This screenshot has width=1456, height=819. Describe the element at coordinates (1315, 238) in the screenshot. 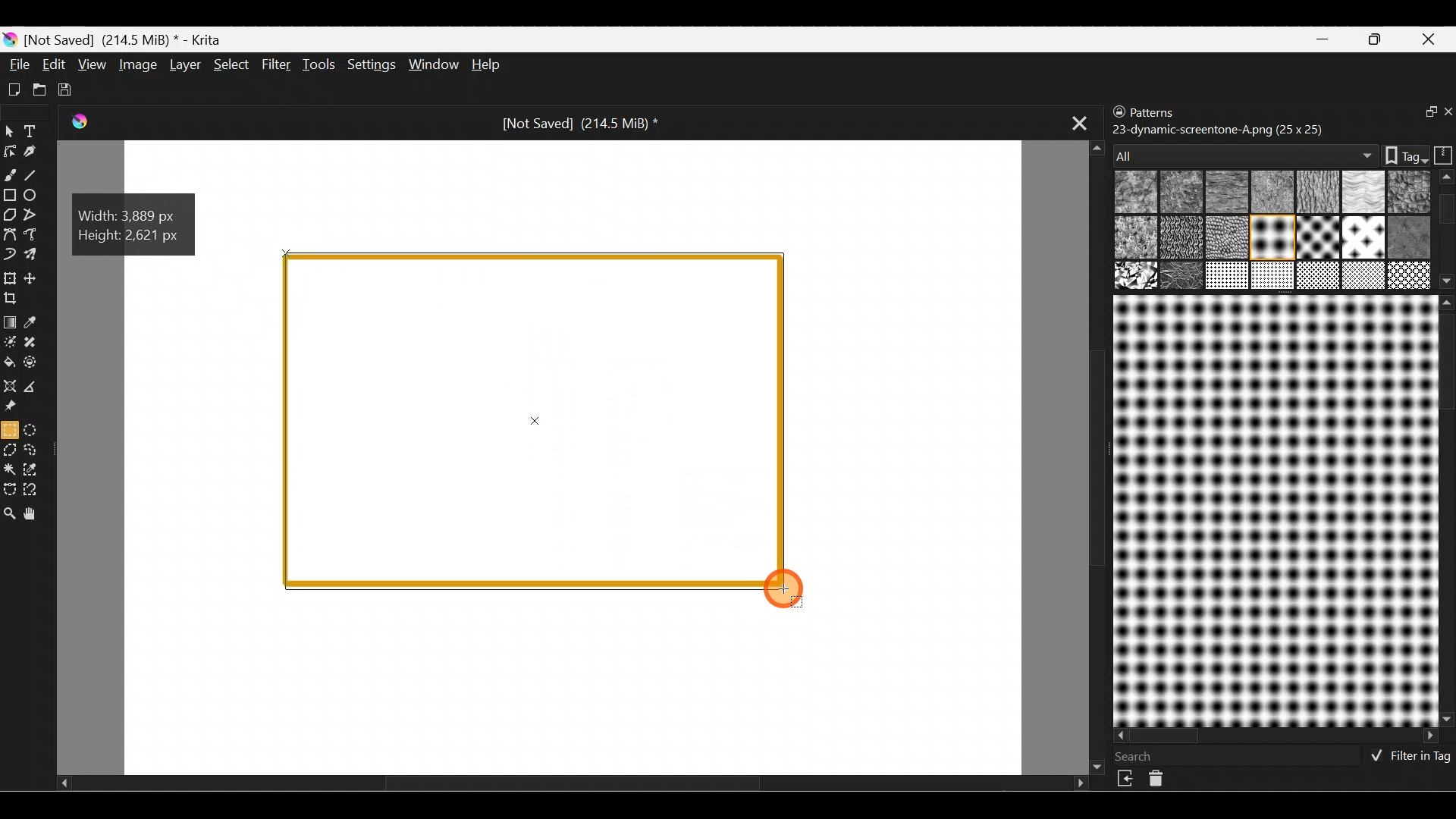

I see `11 drawed_furry.png` at that location.